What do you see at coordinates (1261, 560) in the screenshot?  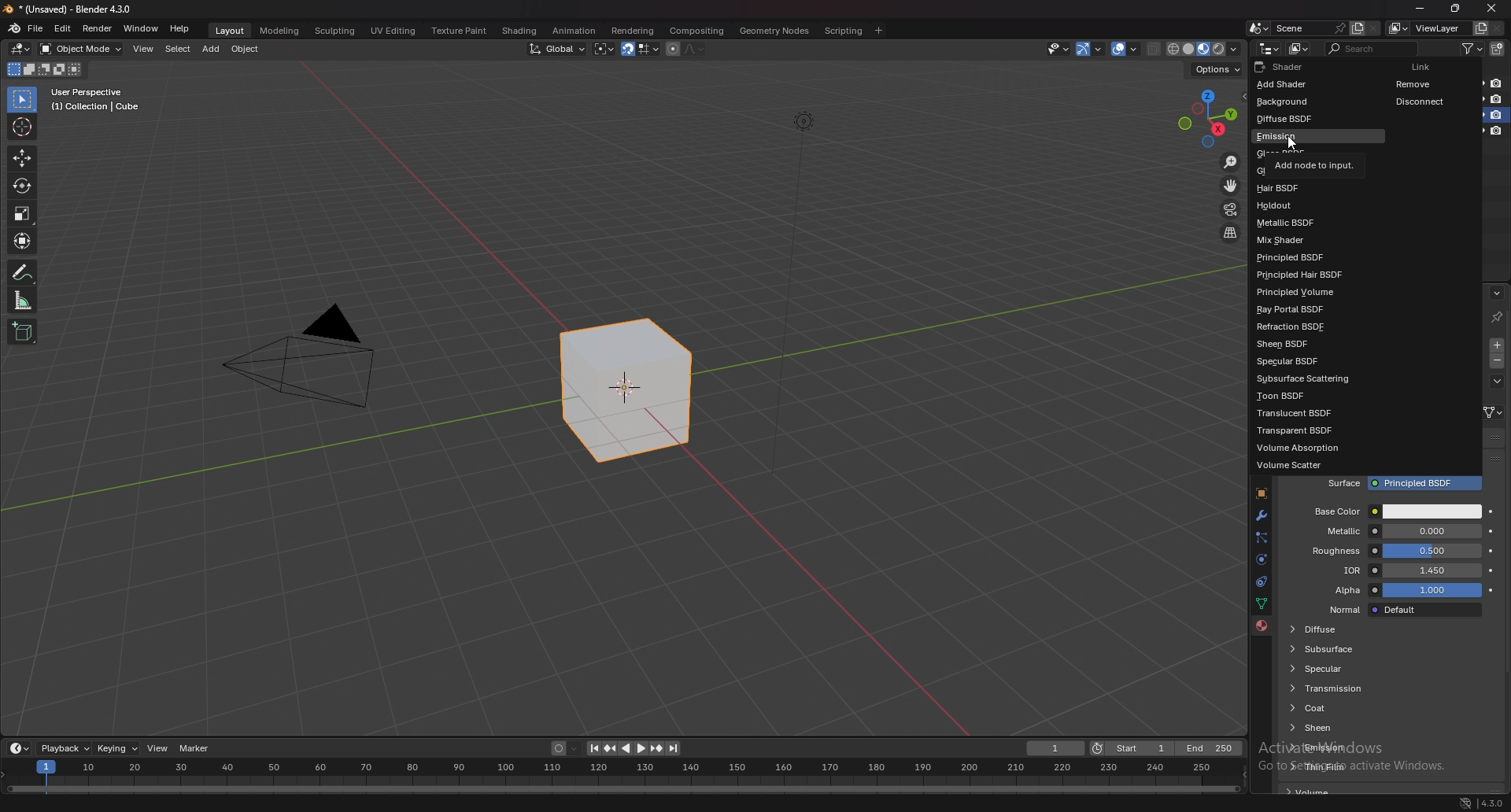 I see `physics` at bounding box center [1261, 560].